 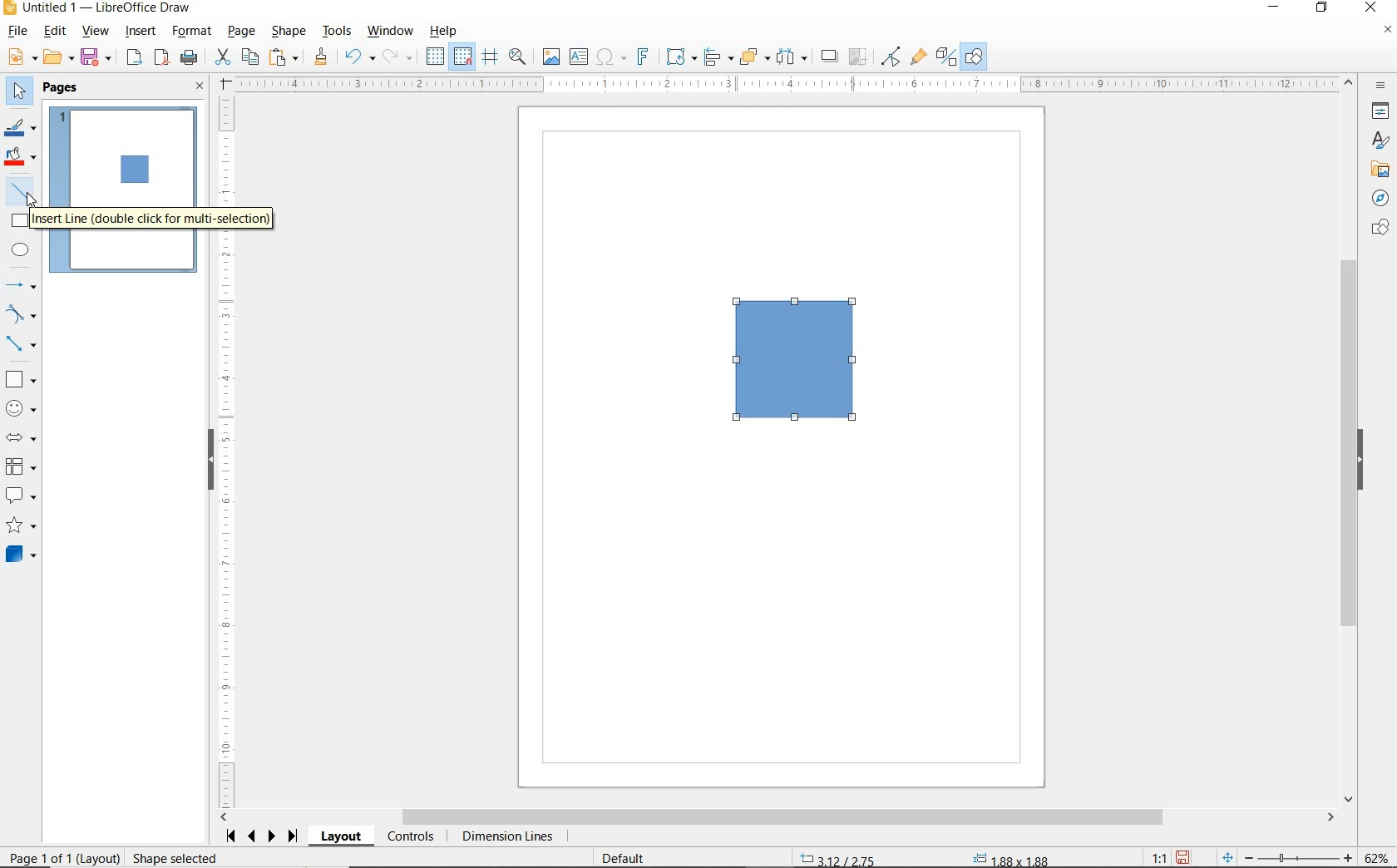 I want to click on TOGGLE POINT EDIT MODE, so click(x=892, y=58).